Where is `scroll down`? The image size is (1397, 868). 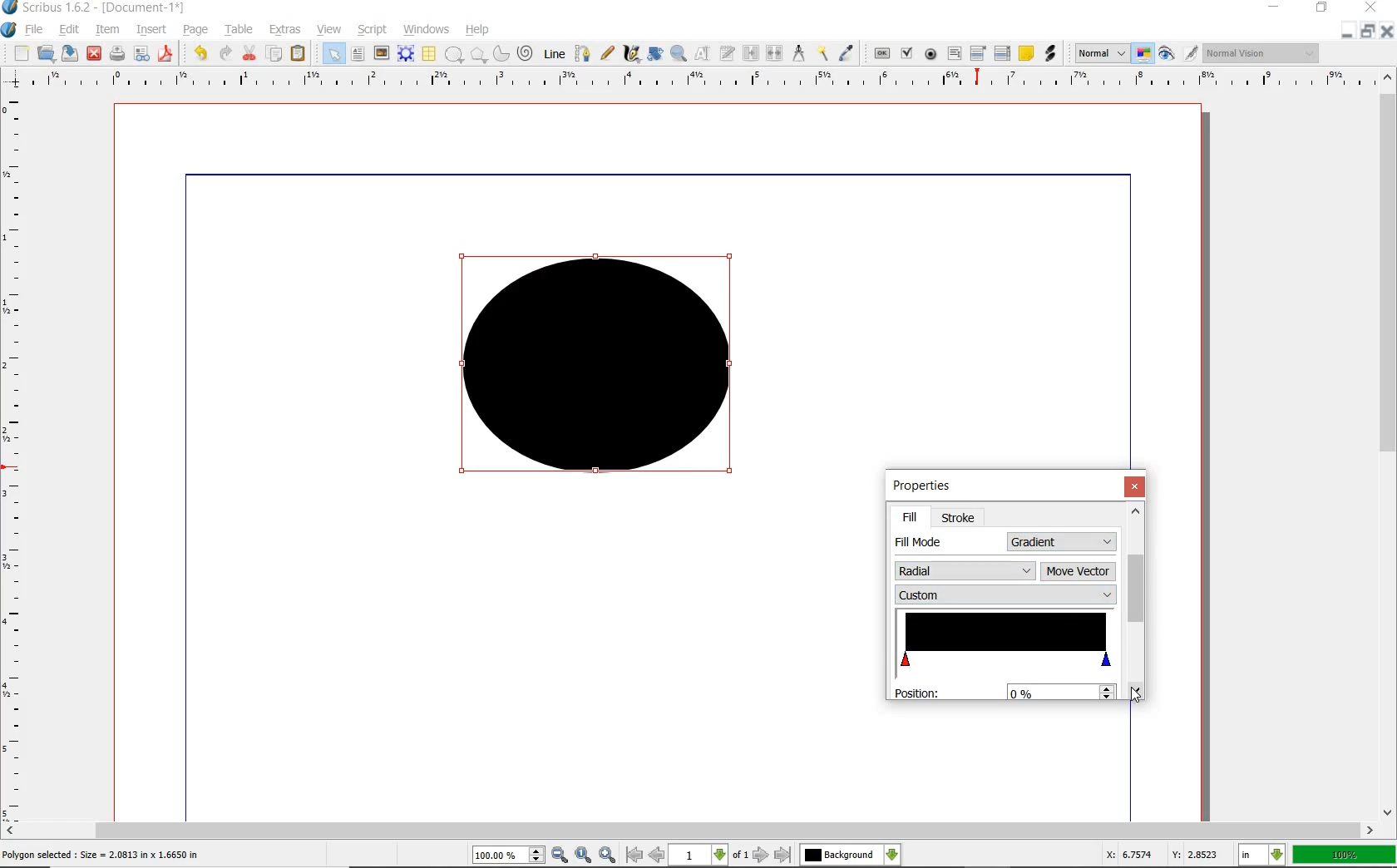
scroll down is located at coordinates (1134, 691).